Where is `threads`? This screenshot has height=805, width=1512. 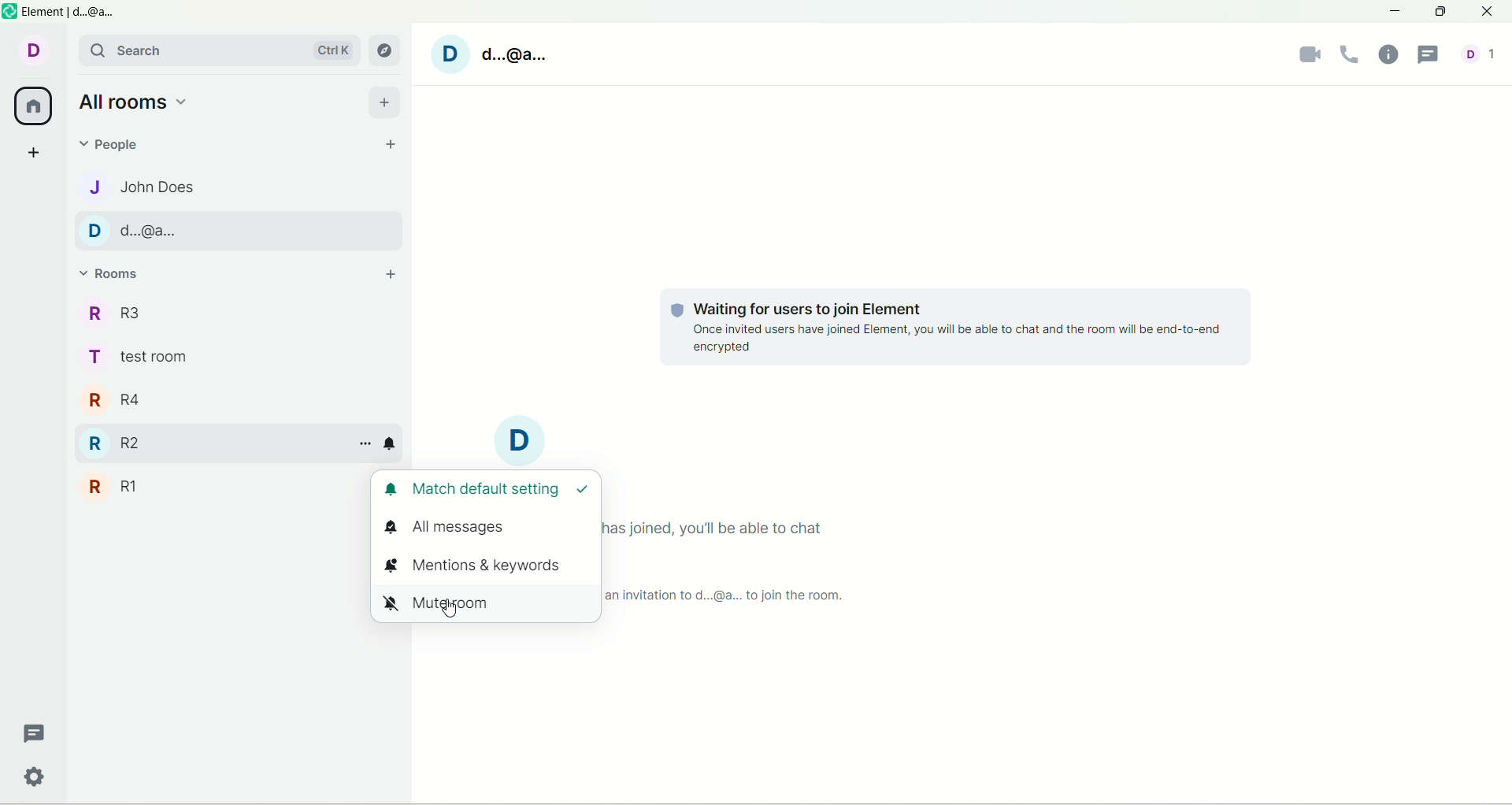 threads is located at coordinates (31, 730).